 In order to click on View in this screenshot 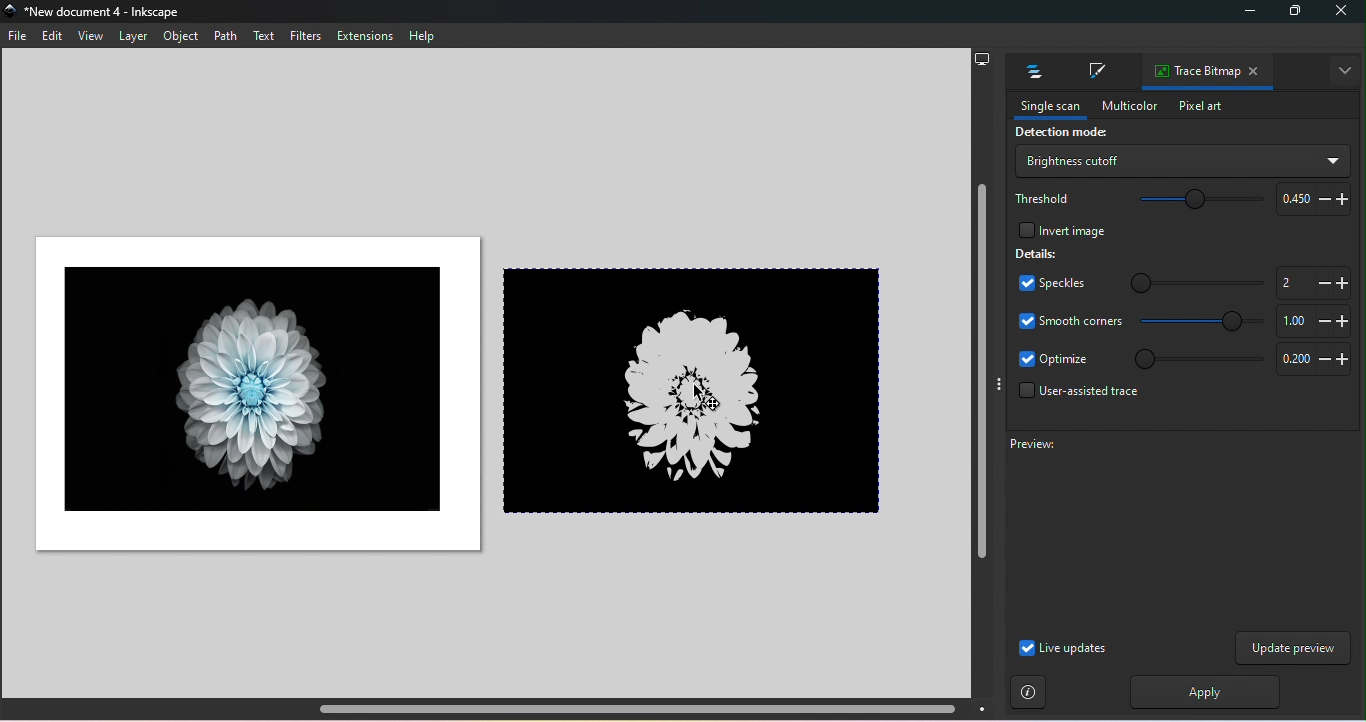, I will do `click(88, 36)`.